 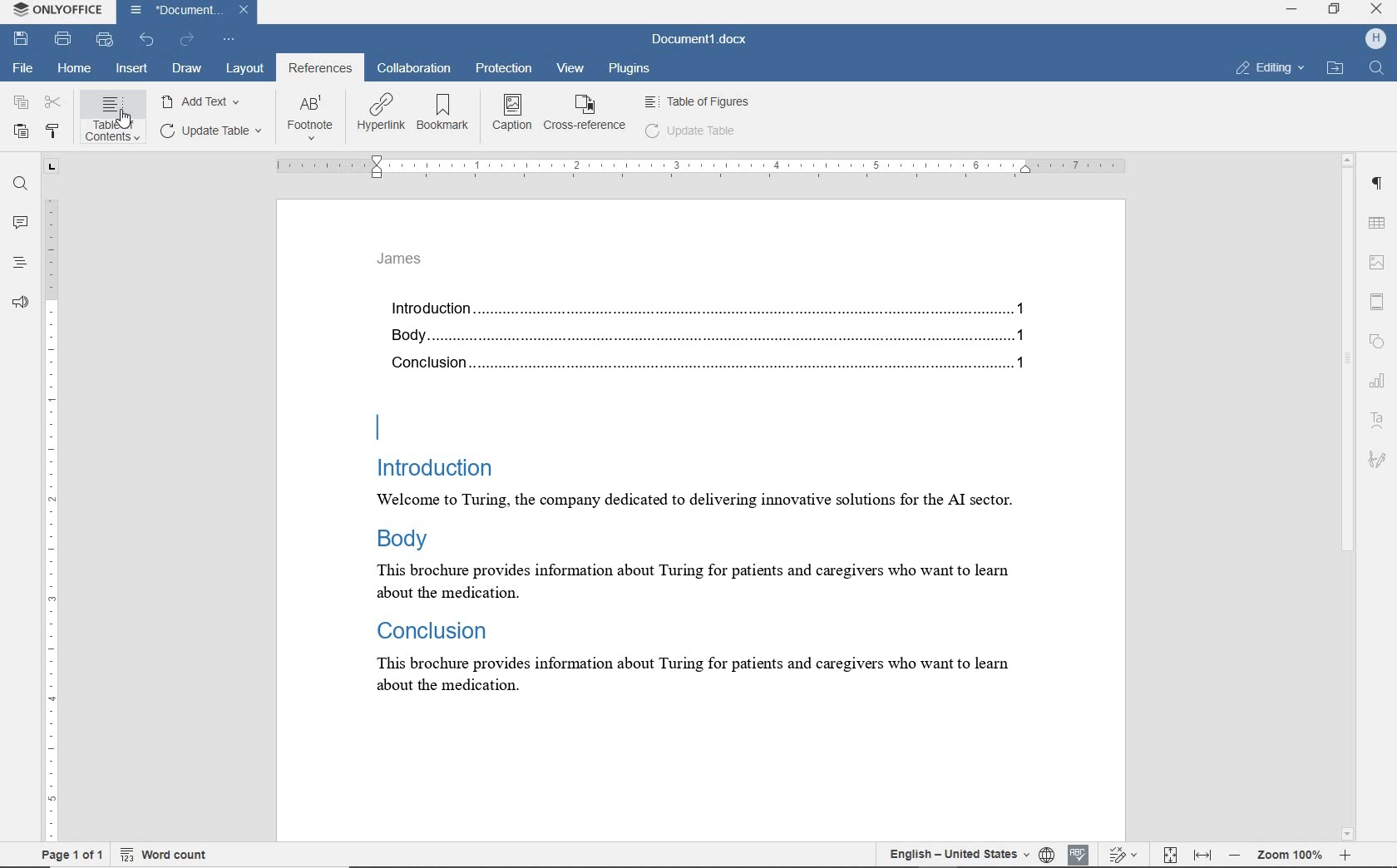 What do you see at coordinates (697, 167) in the screenshot?
I see `ruler` at bounding box center [697, 167].